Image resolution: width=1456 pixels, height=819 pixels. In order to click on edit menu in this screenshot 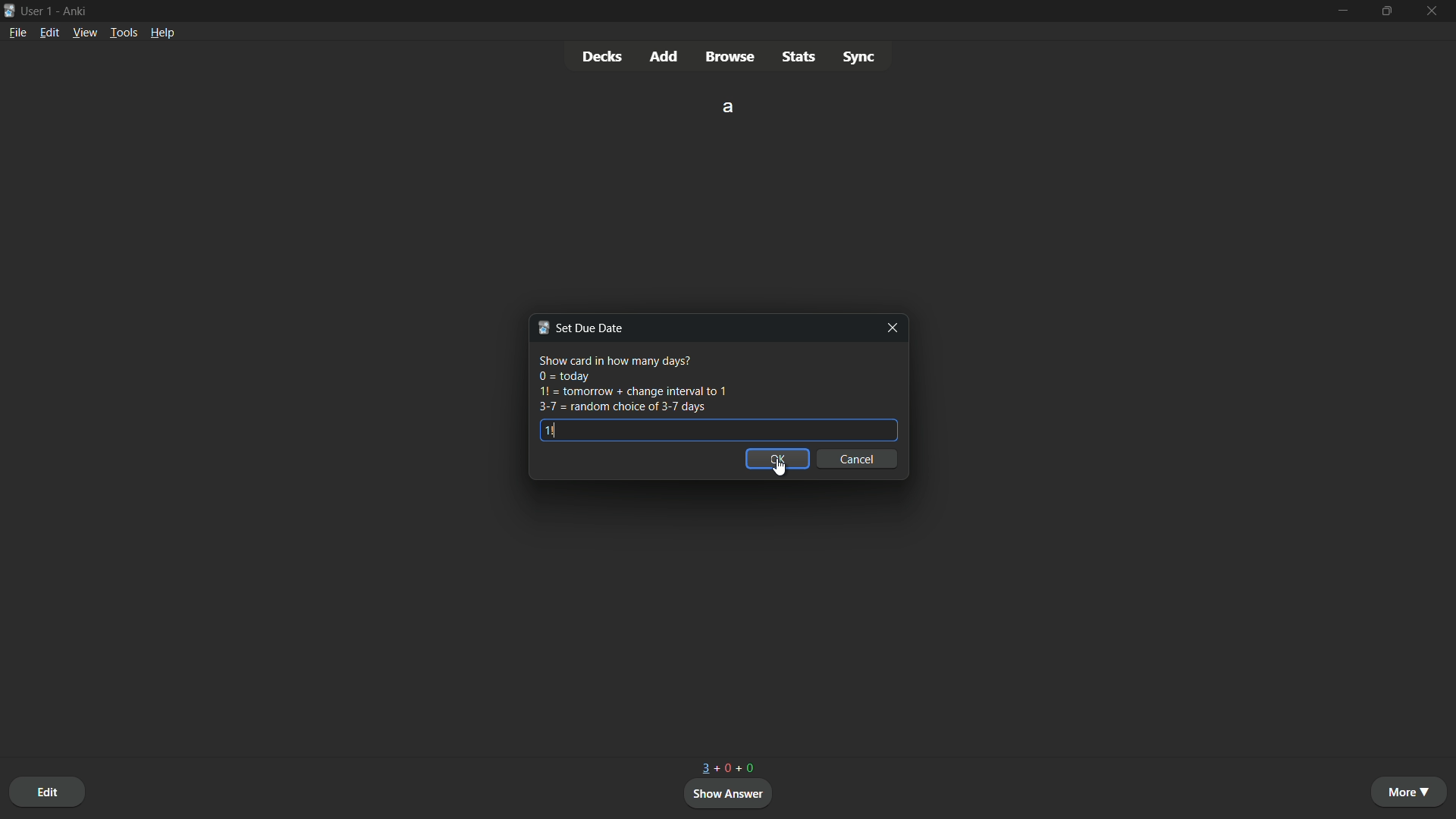, I will do `click(49, 32)`.